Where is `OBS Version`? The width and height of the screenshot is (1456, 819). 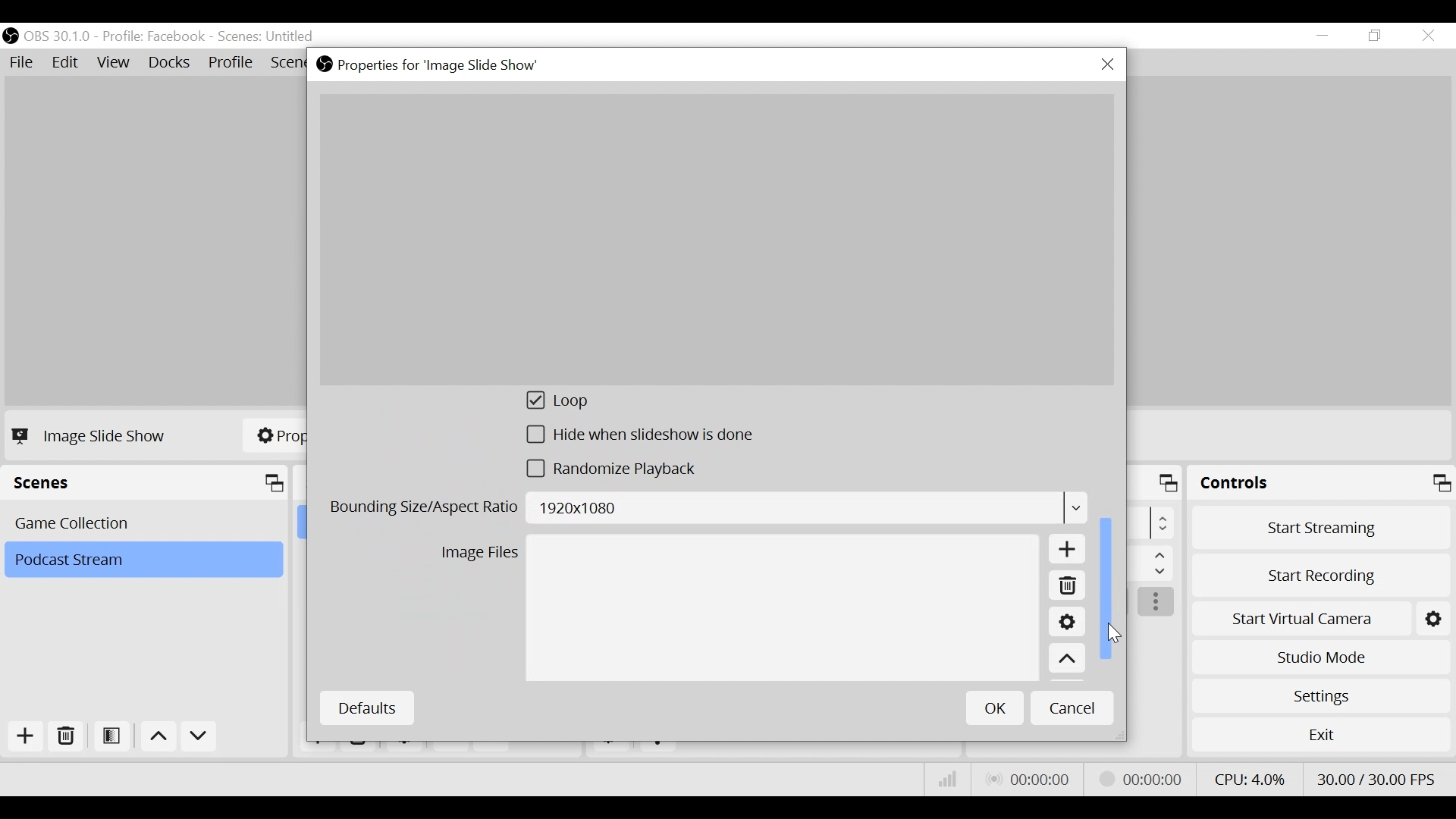 OBS Version is located at coordinates (60, 36).